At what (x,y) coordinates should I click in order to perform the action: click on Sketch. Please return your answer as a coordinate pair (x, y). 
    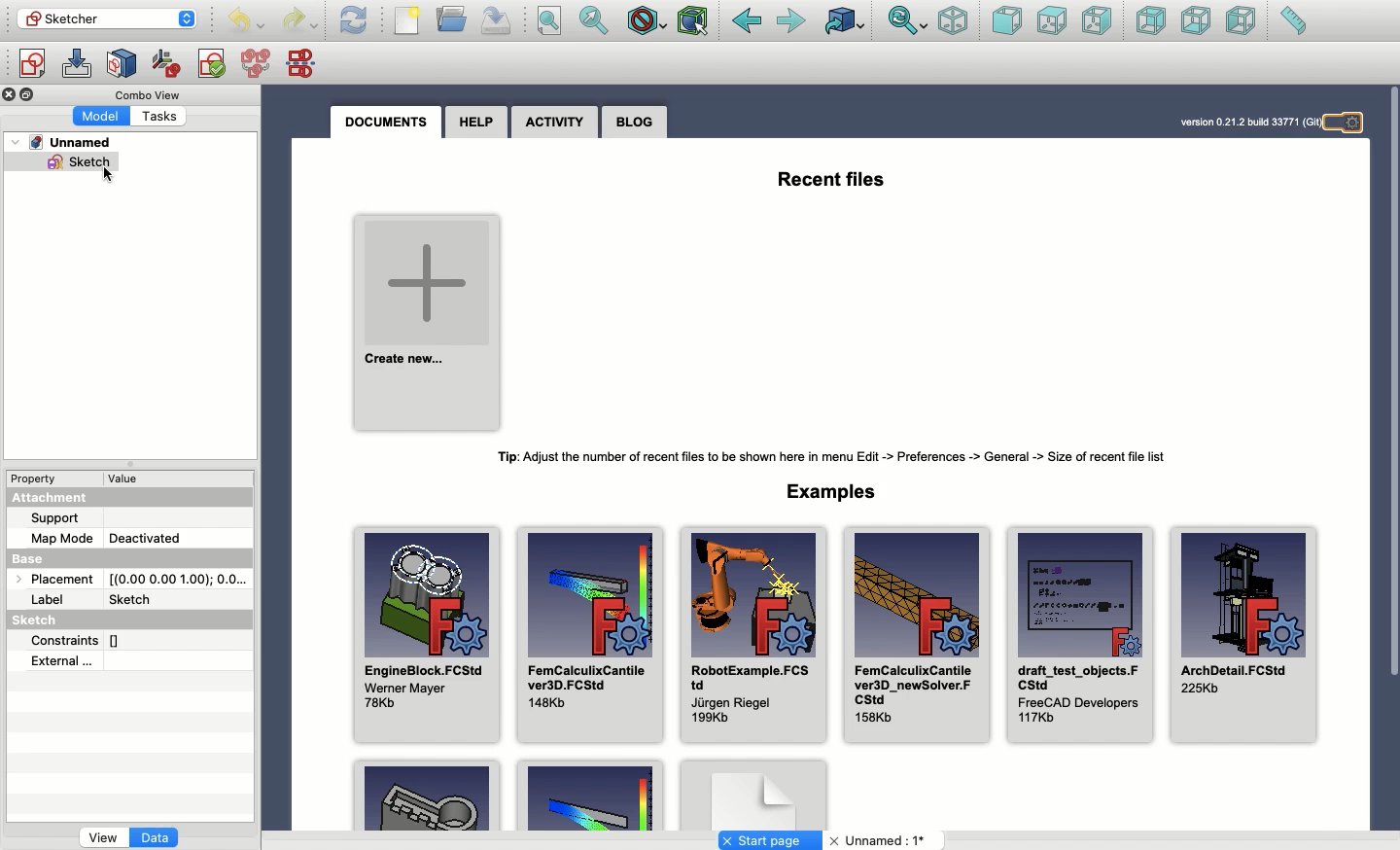
    Looking at the image, I should click on (135, 597).